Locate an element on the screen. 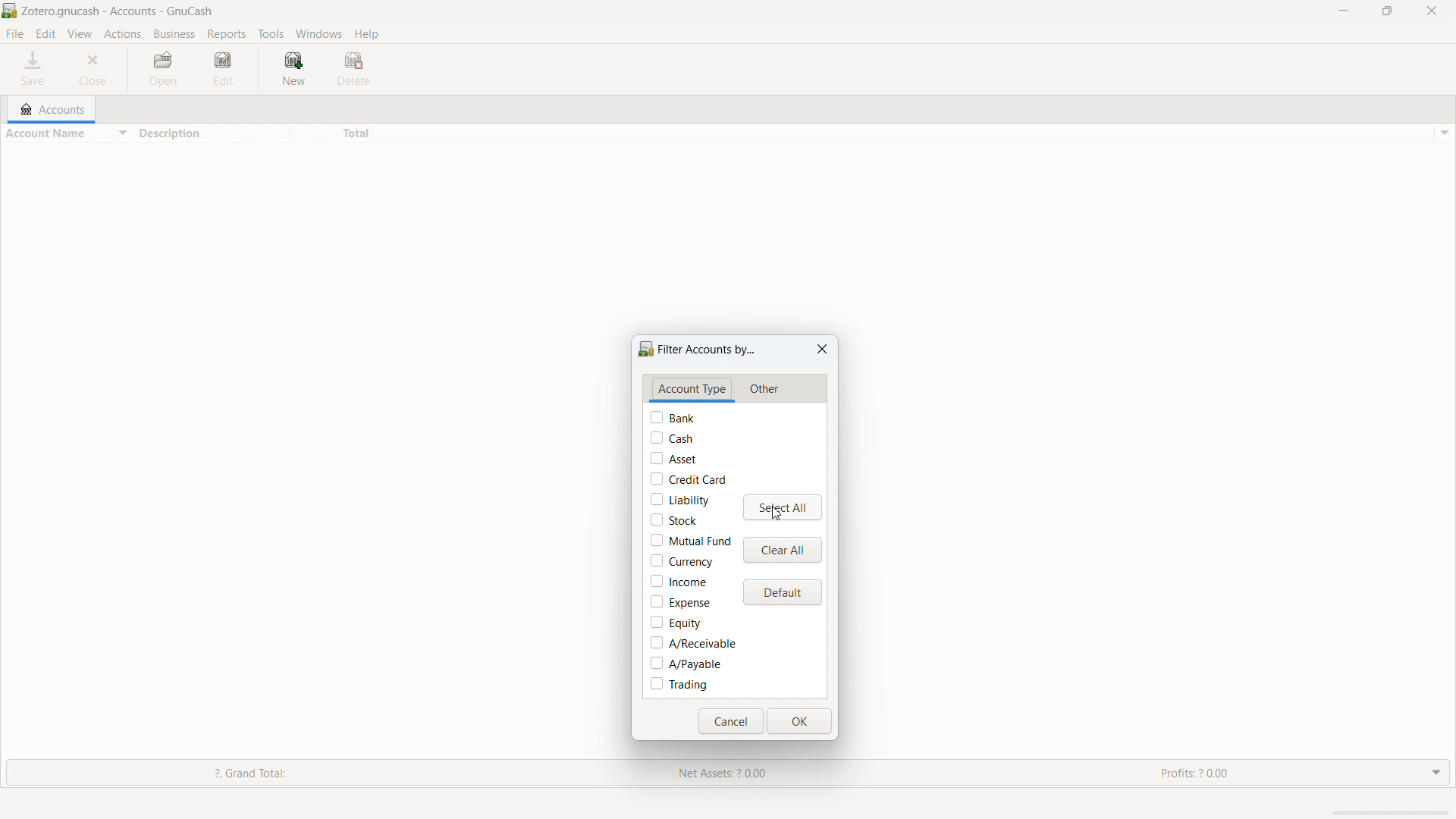 The width and height of the screenshot is (1456, 819). Profits: 2 0.00 is located at coordinates (1278, 772).